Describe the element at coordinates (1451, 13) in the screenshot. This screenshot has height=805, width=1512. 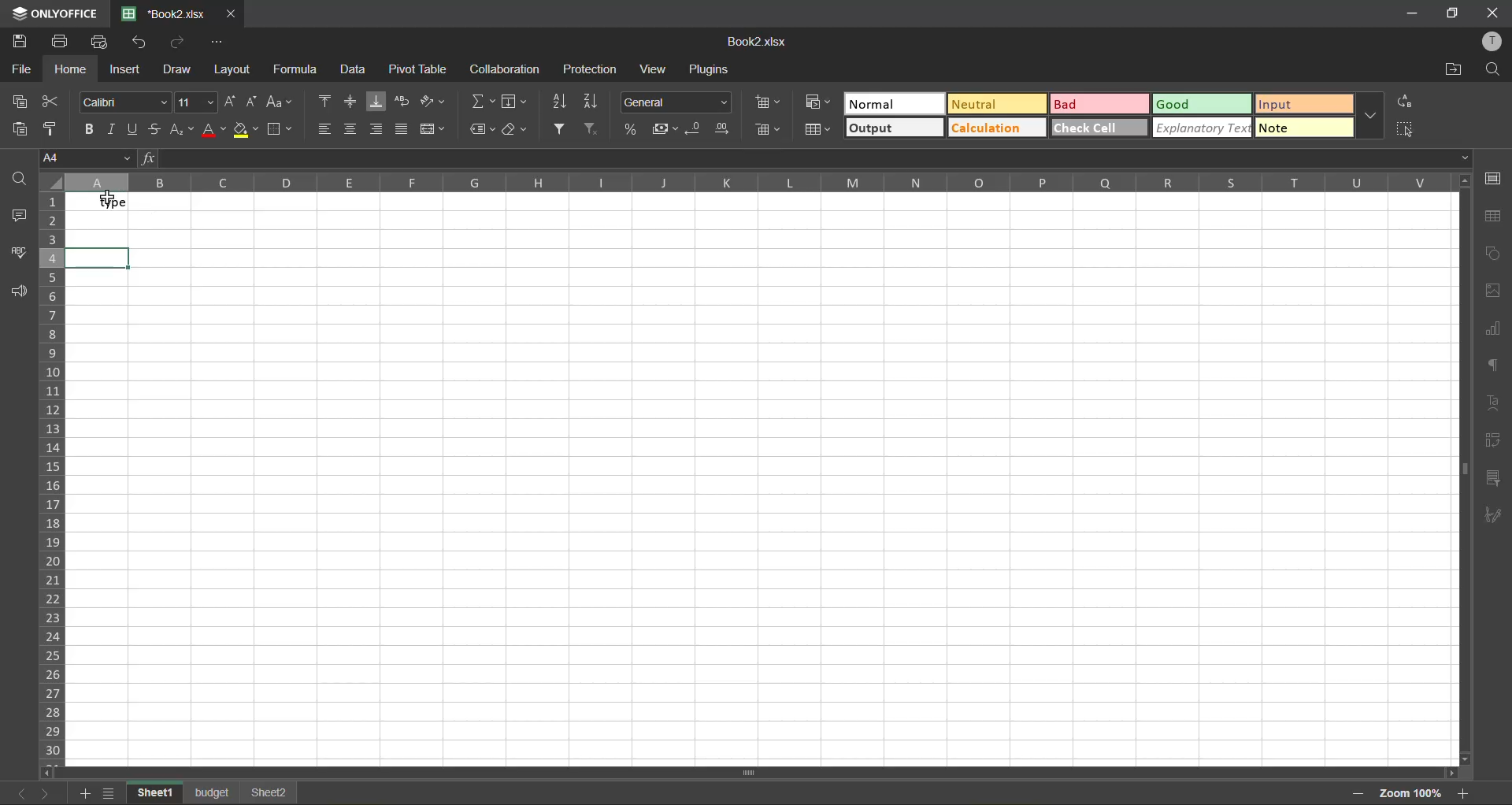
I see `maximize` at that location.